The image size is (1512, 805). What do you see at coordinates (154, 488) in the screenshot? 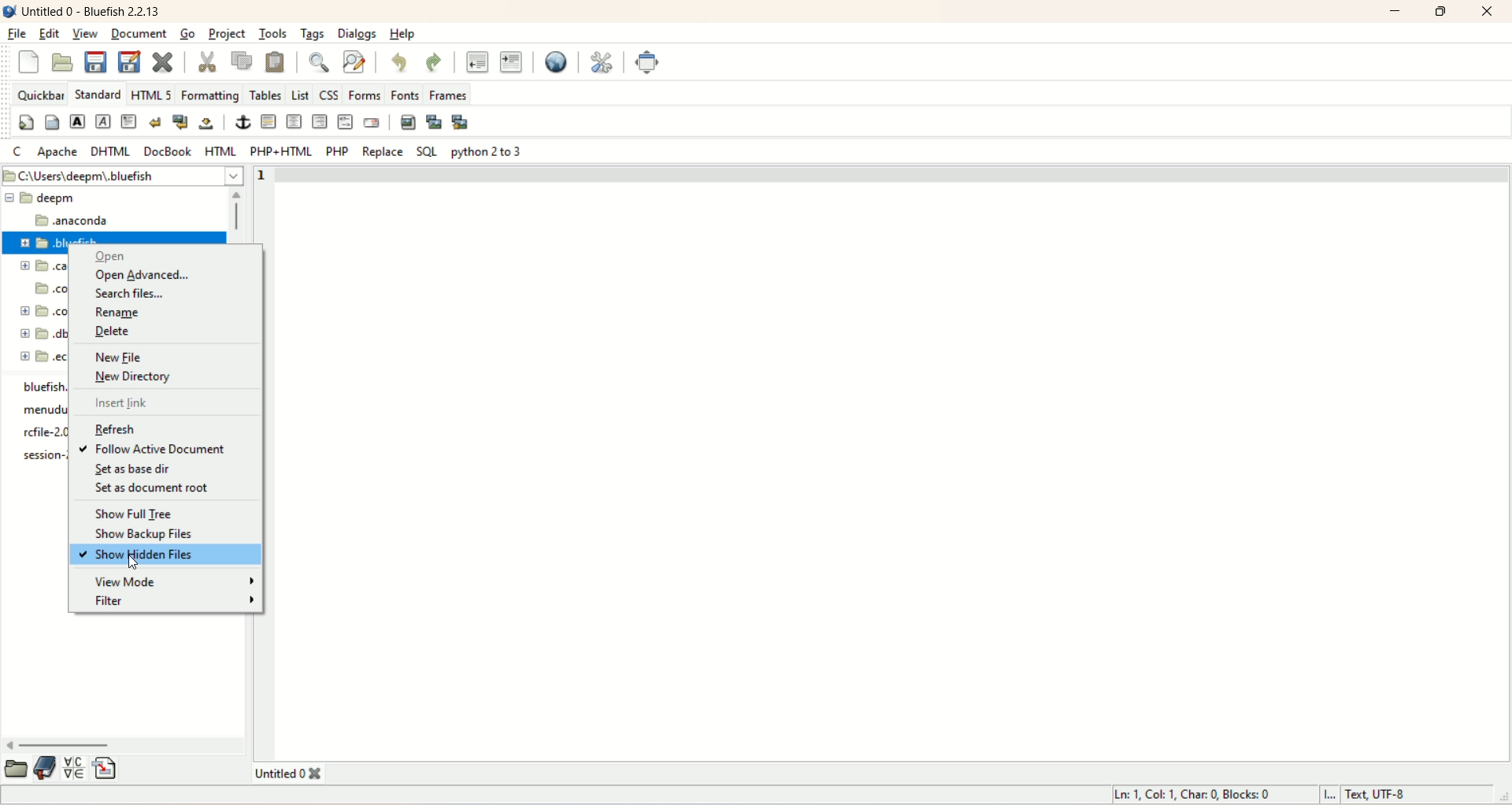
I see `set as document root` at bounding box center [154, 488].